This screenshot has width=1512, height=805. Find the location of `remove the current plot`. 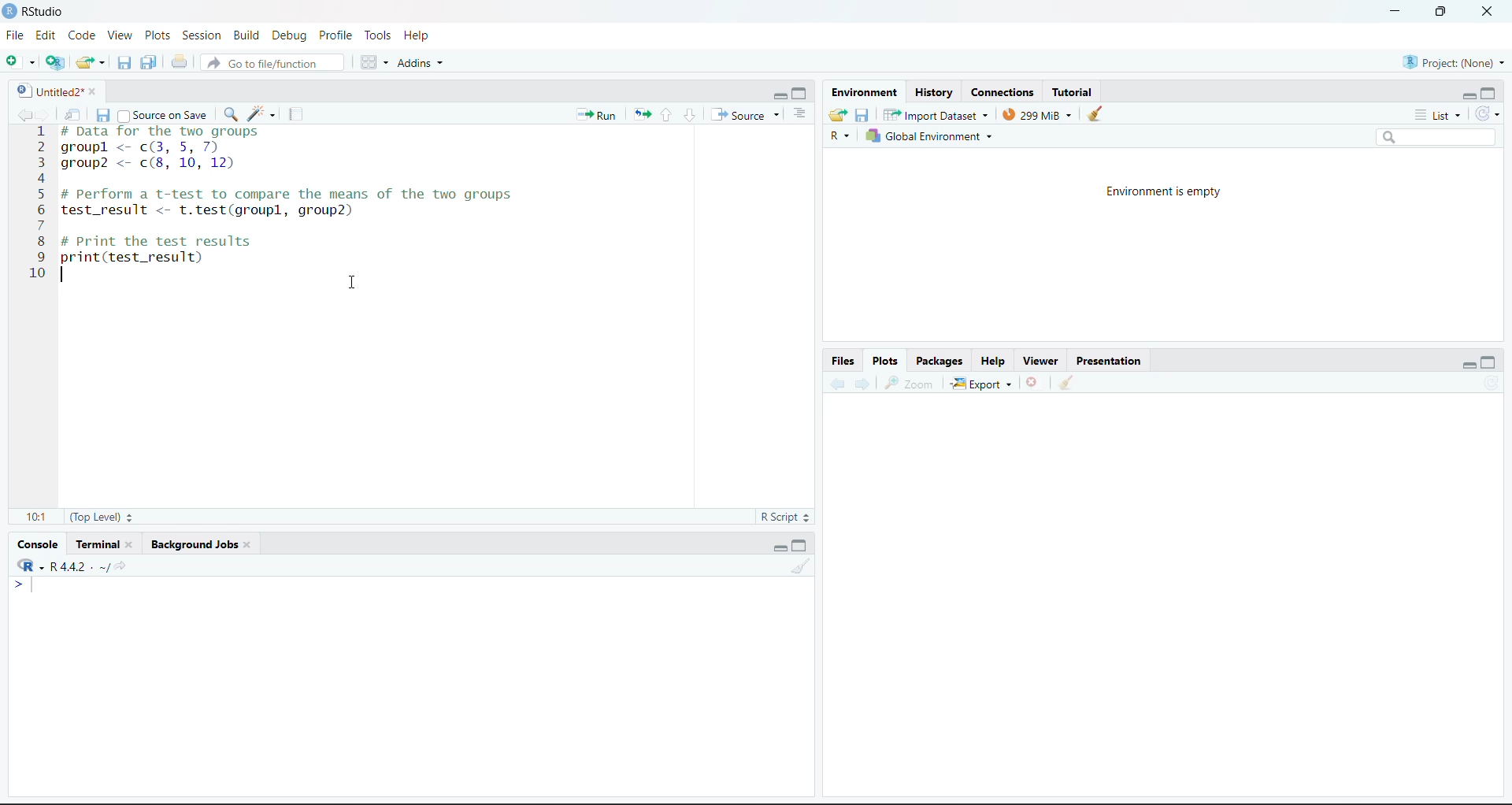

remove the current plot is located at coordinates (1035, 381).